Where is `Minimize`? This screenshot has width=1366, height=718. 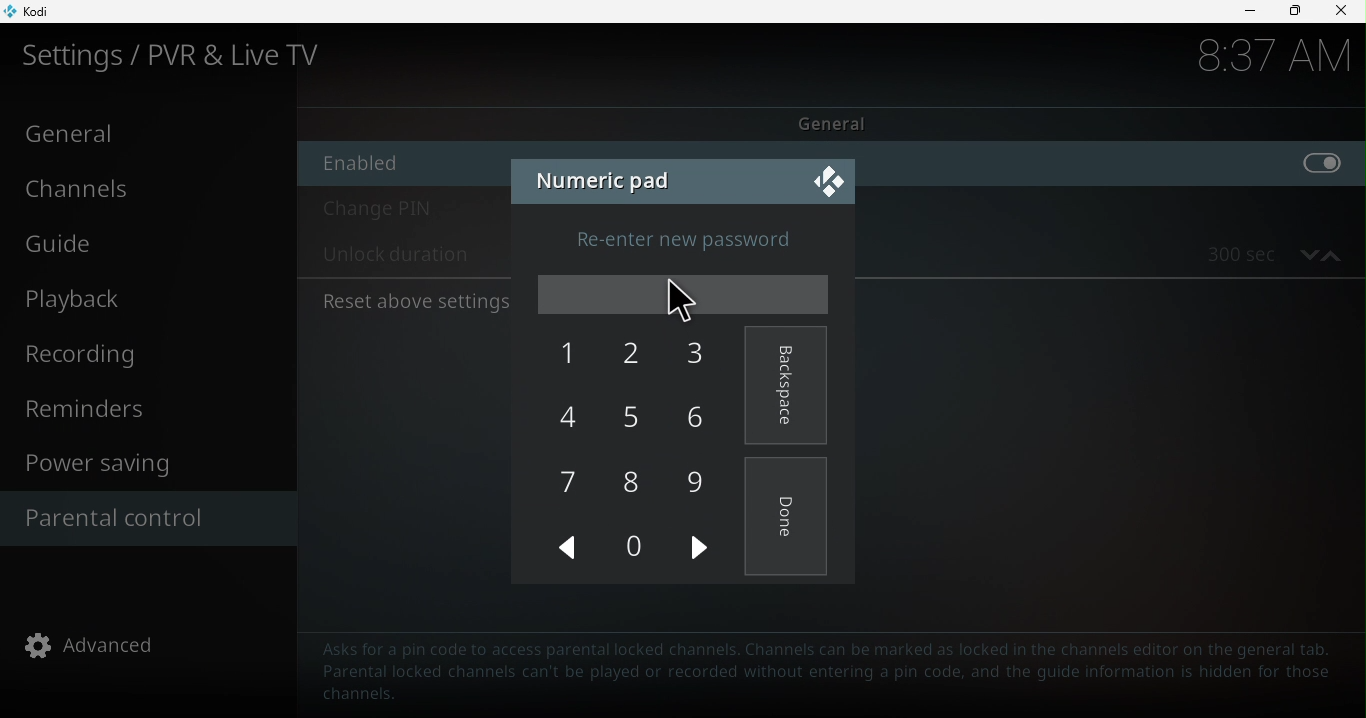 Minimize is located at coordinates (1249, 13).